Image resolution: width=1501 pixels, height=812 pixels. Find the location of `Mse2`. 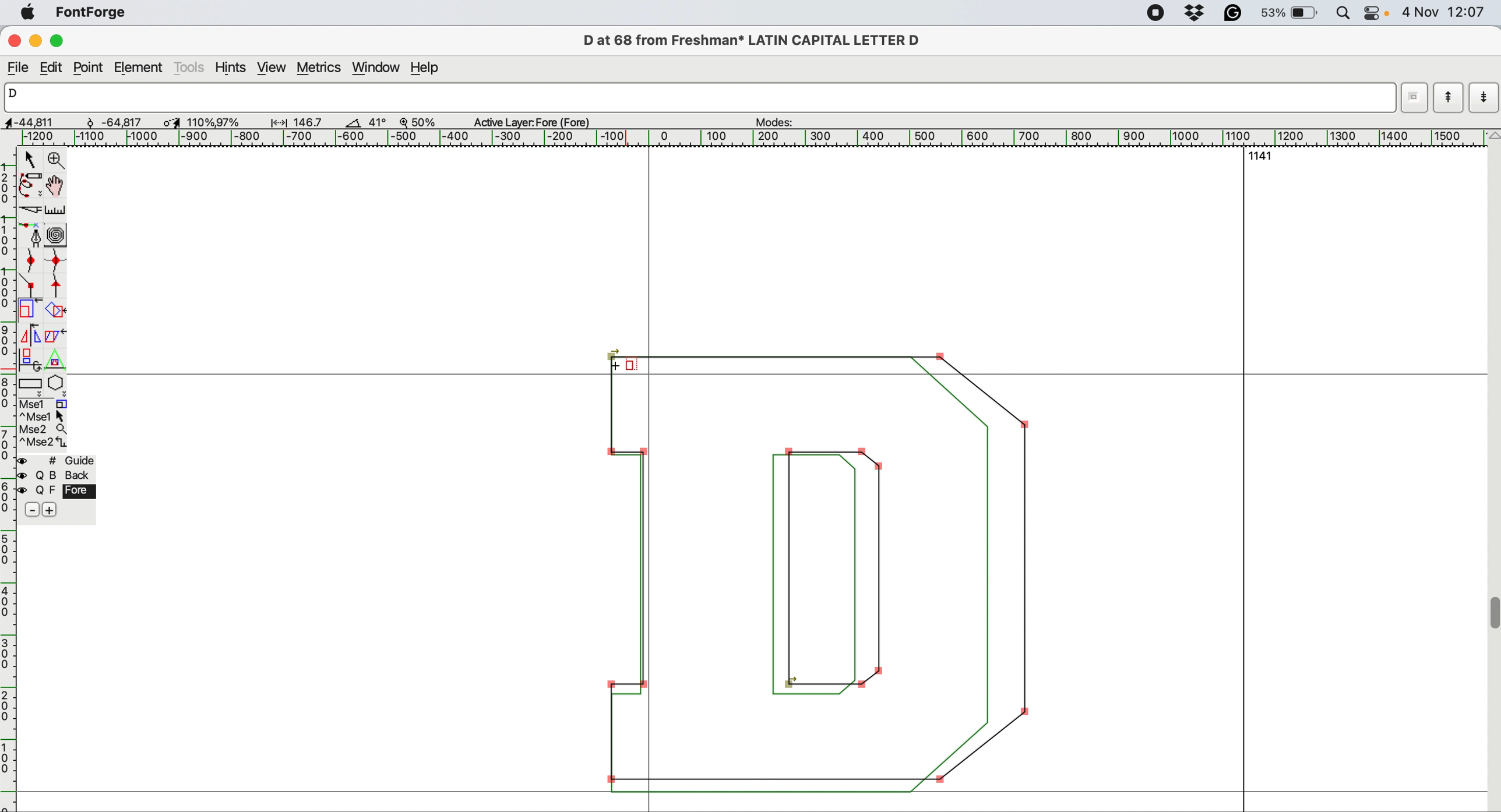

Mse2 is located at coordinates (46, 429).